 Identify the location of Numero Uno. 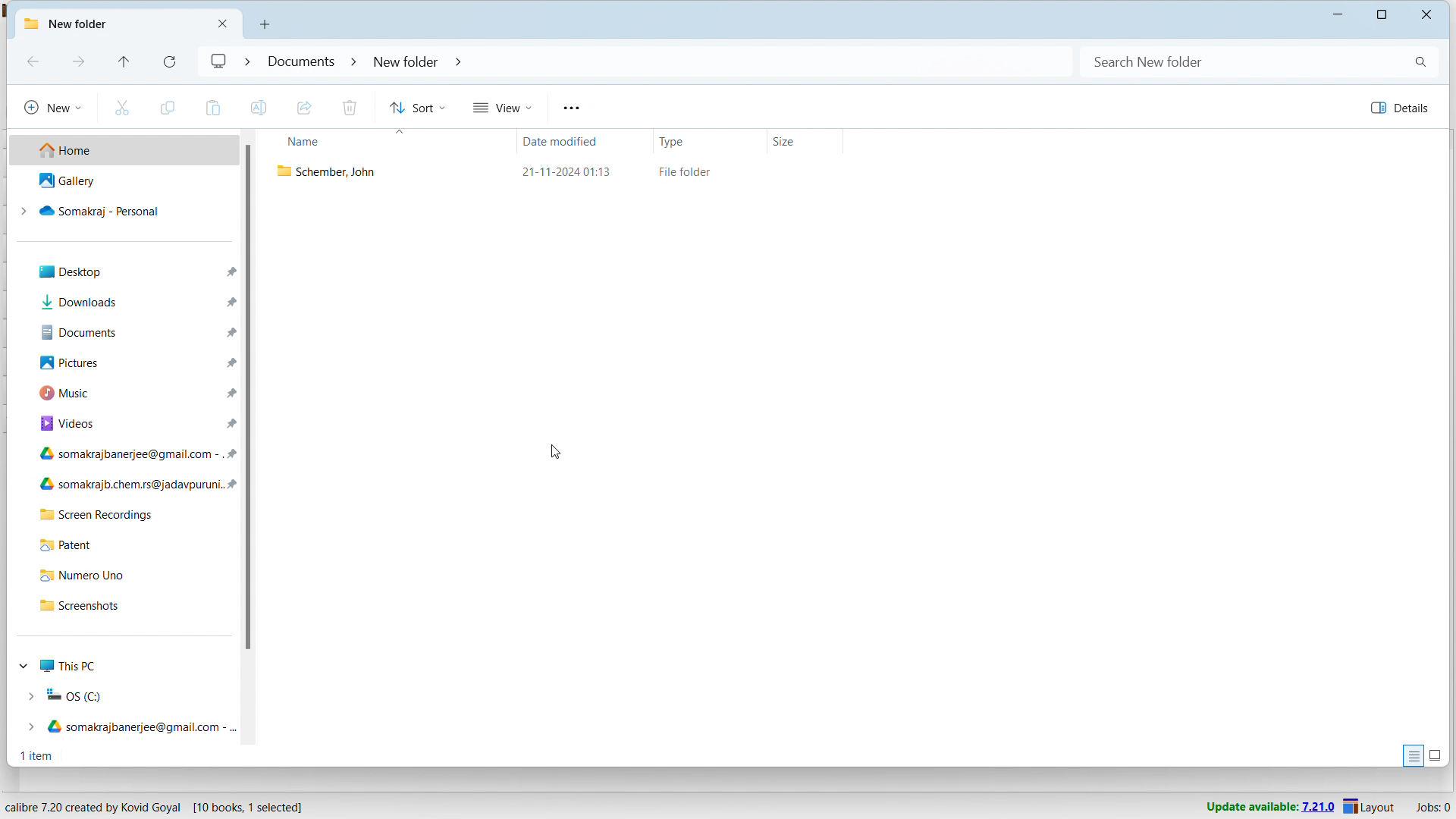
(88, 576).